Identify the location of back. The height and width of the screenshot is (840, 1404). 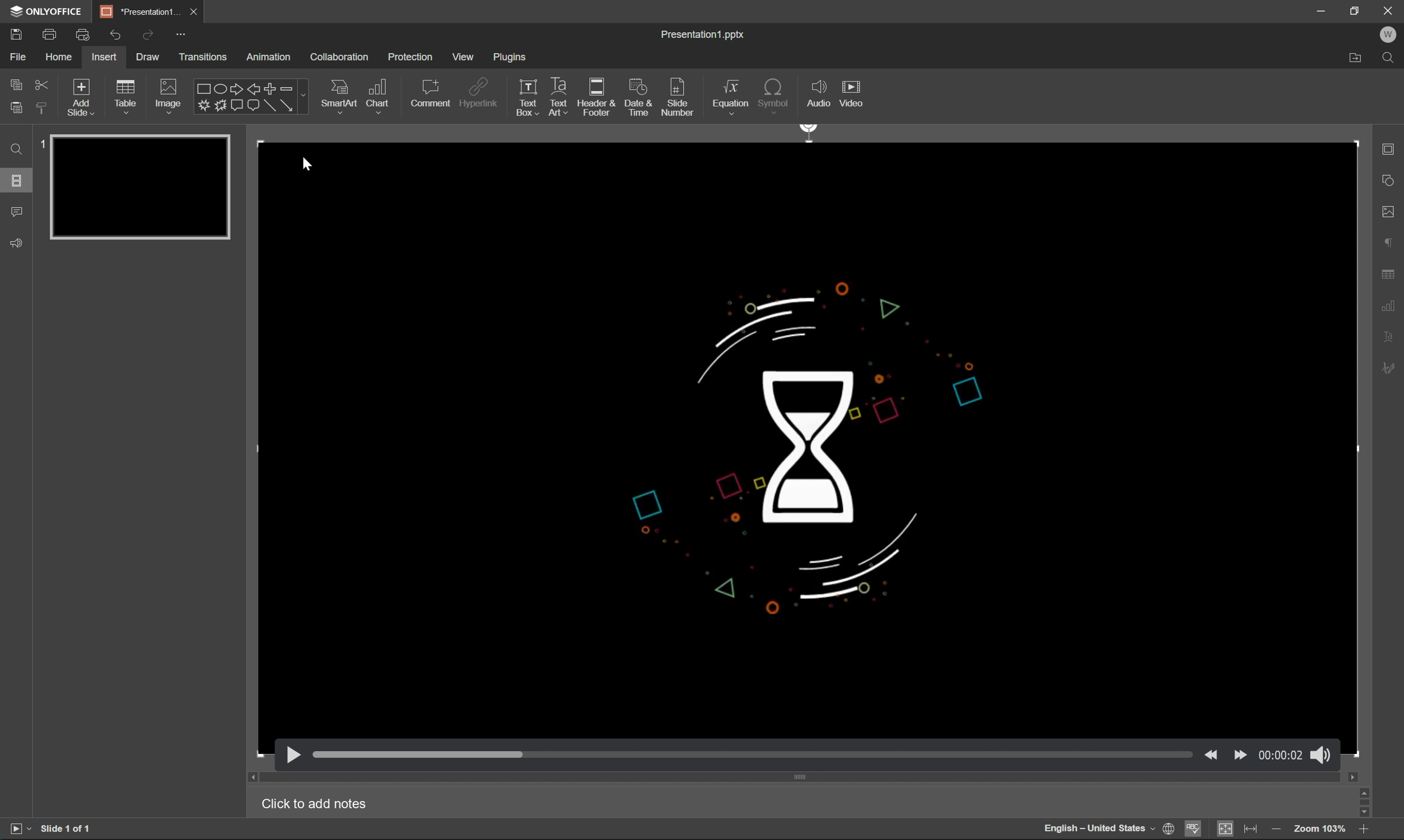
(1211, 755).